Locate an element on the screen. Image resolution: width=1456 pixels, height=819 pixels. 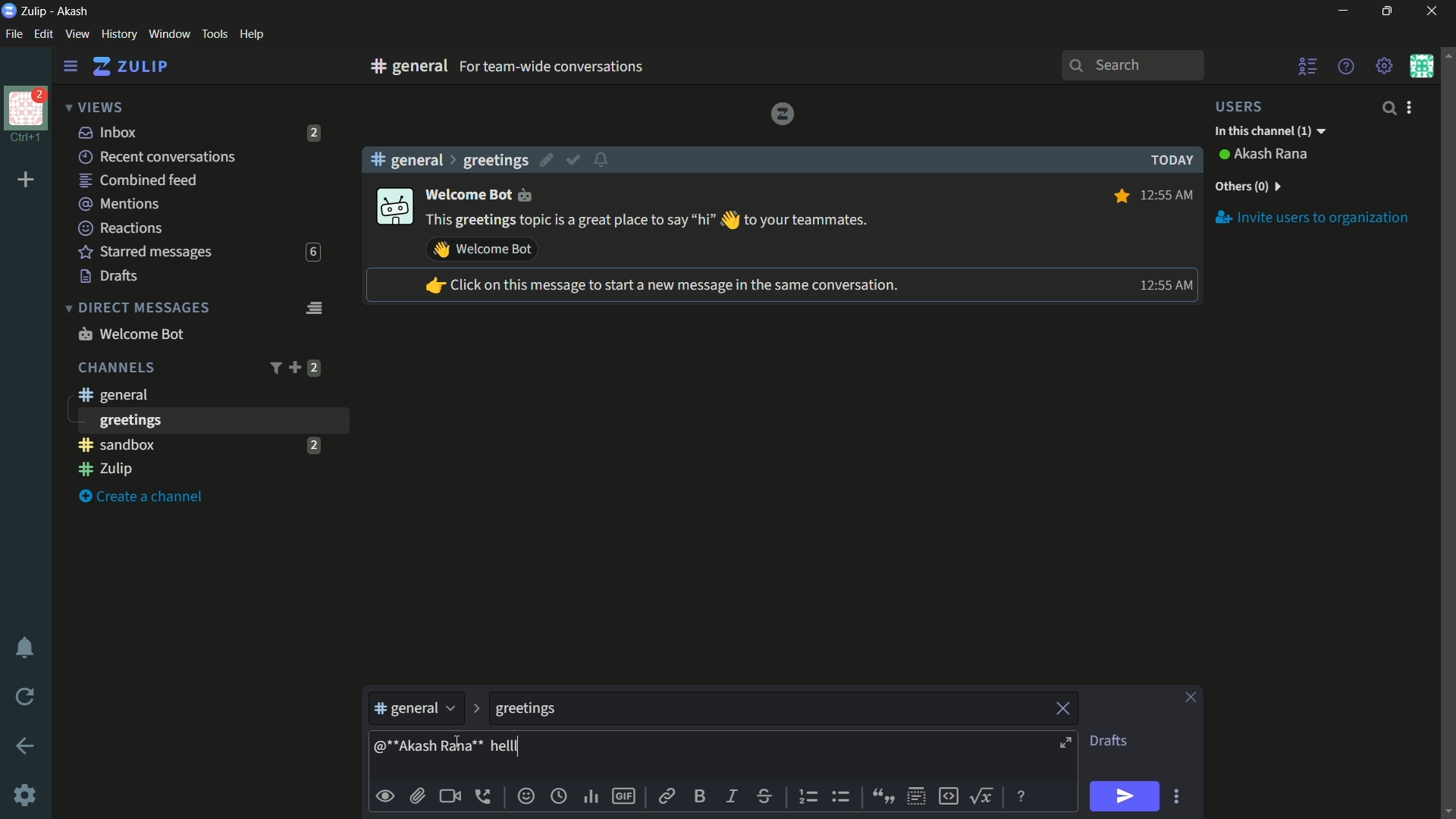
tools menu is located at coordinates (214, 34).